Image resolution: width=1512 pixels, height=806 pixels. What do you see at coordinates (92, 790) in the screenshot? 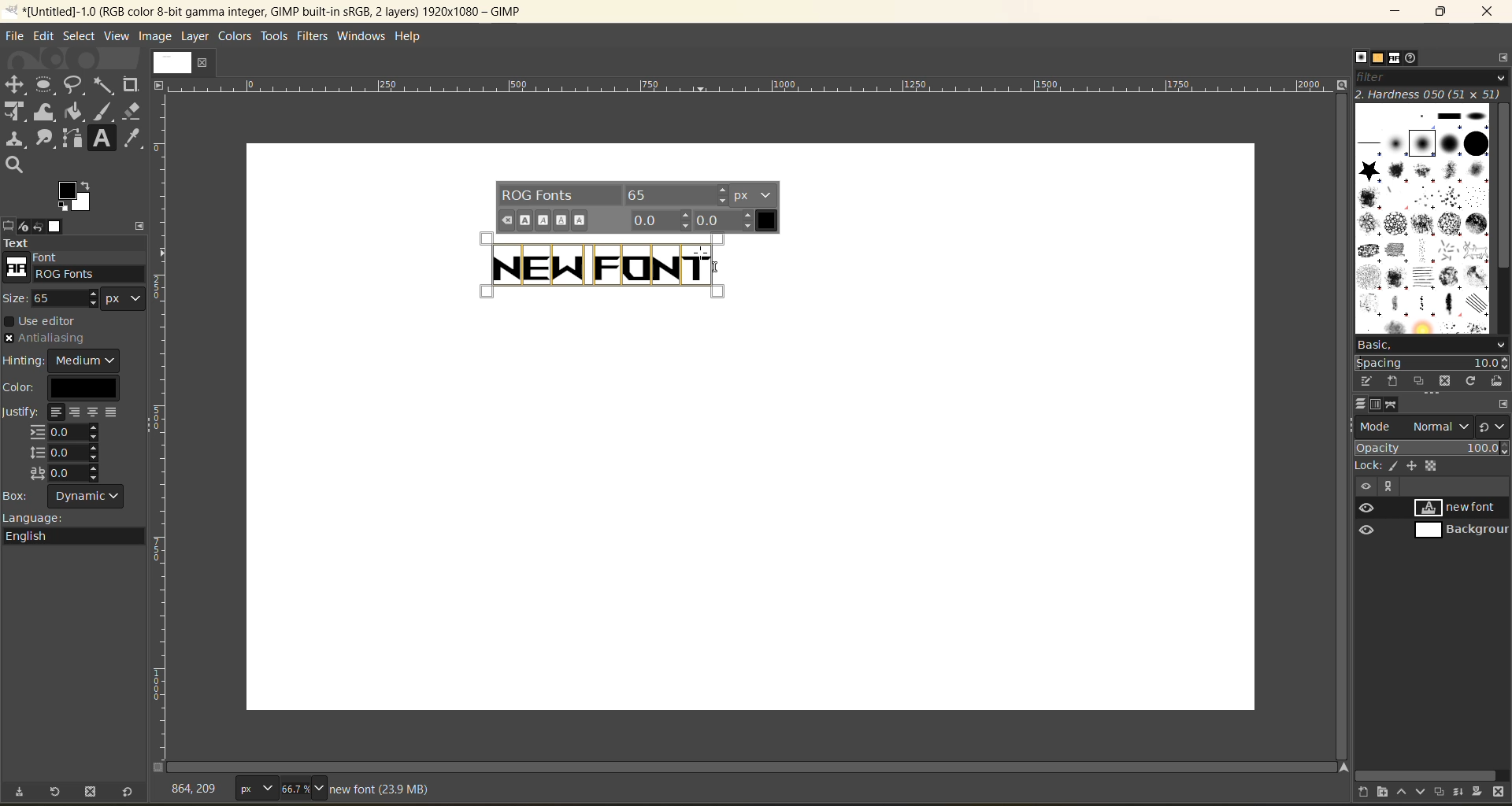
I see `delete tool preset` at bounding box center [92, 790].